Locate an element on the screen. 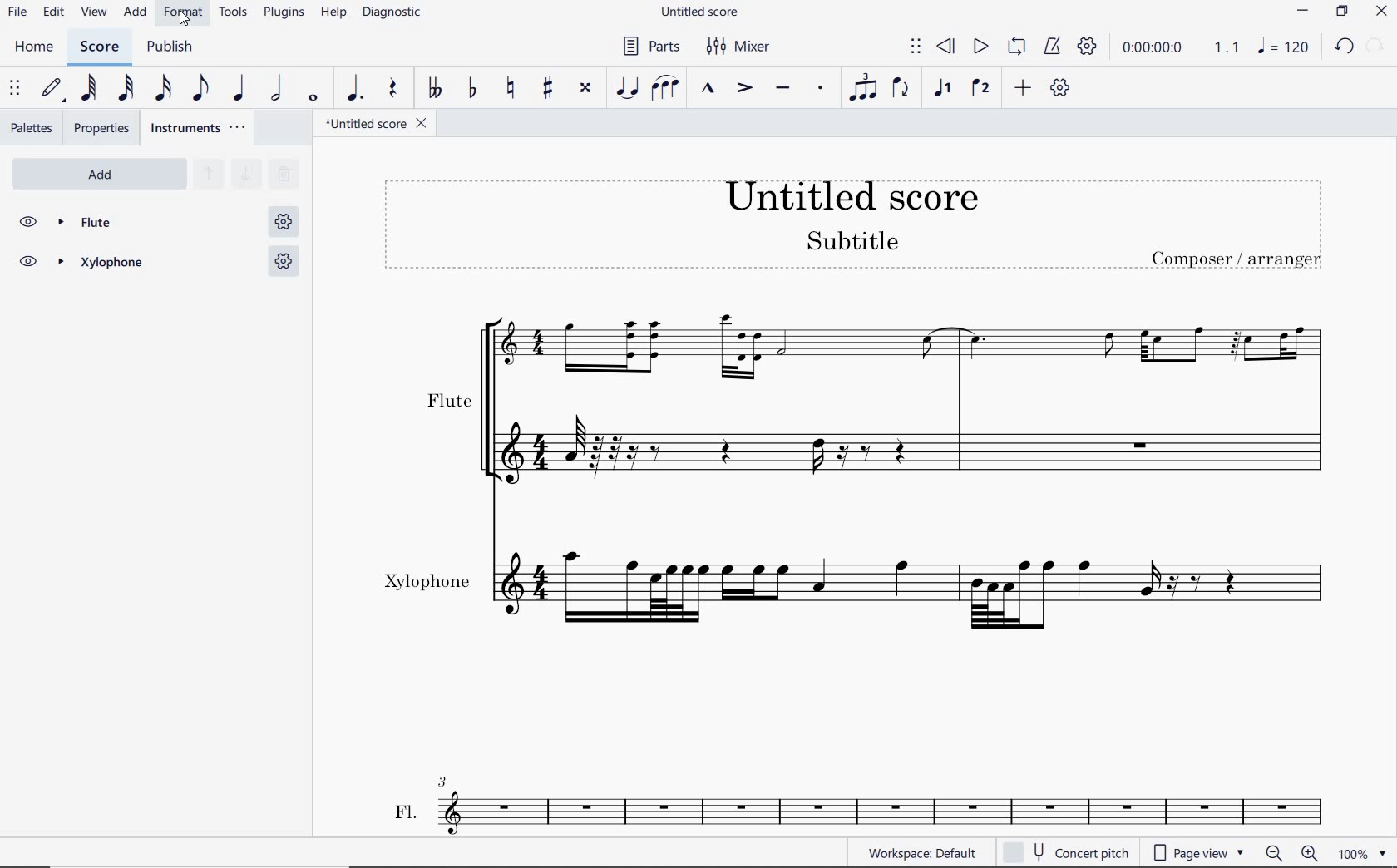  TIE is located at coordinates (629, 86).